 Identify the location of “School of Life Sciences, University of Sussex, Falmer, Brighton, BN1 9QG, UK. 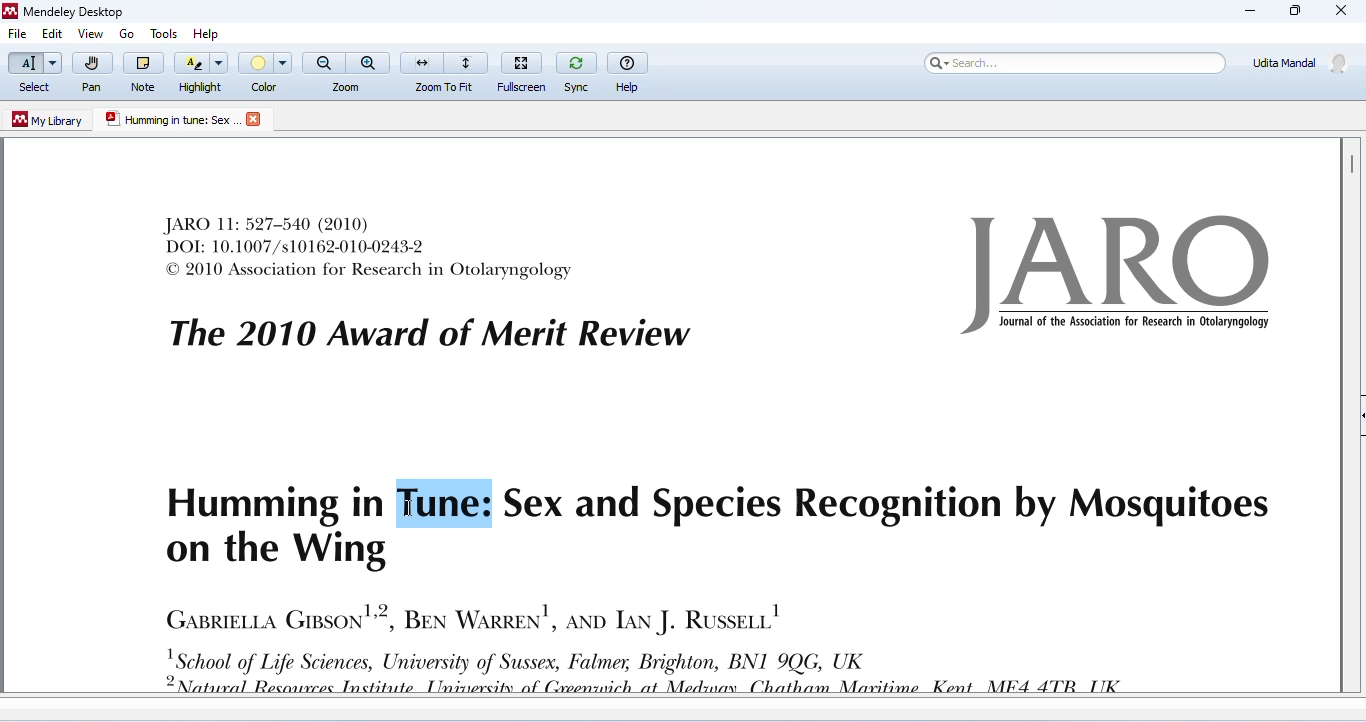
(662, 671).